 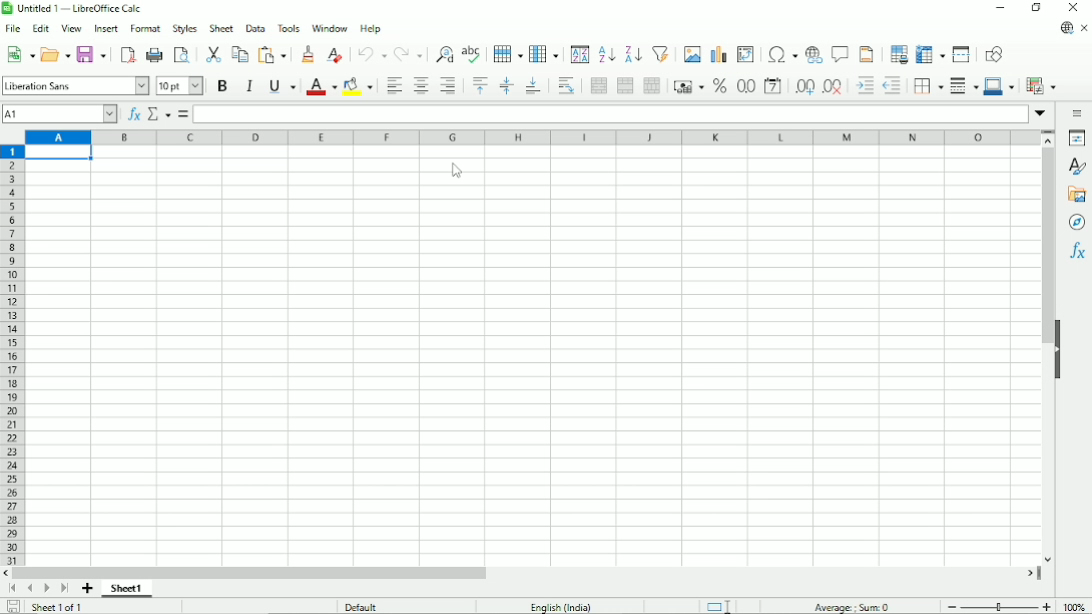 I want to click on Insert or edit pivot table, so click(x=745, y=54).